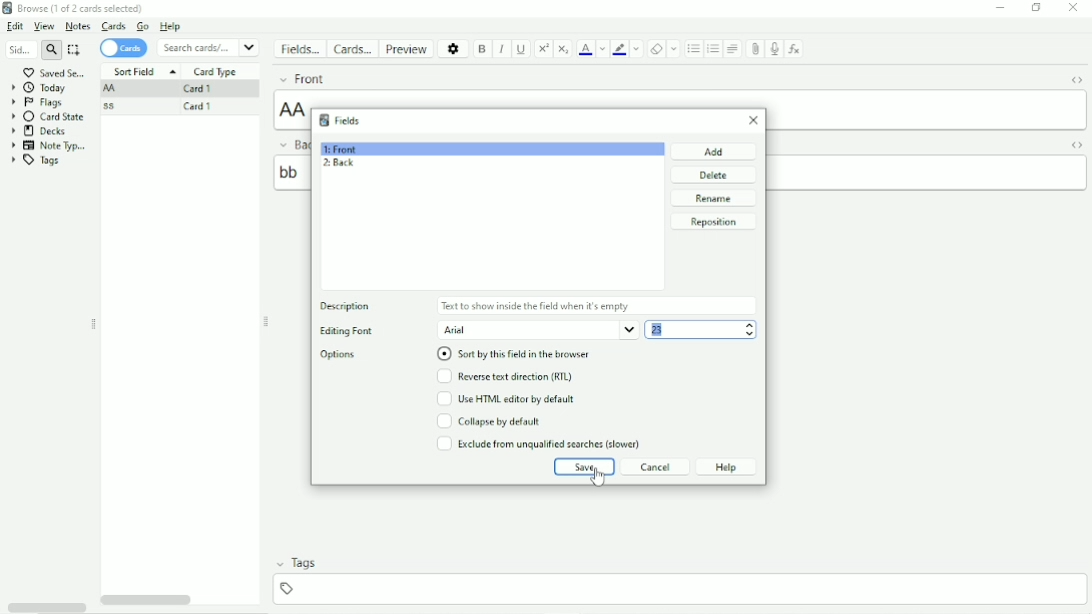 The width and height of the screenshot is (1092, 614). What do you see at coordinates (596, 305) in the screenshot?
I see `Text to show inside the field when t's empty` at bounding box center [596, 305].